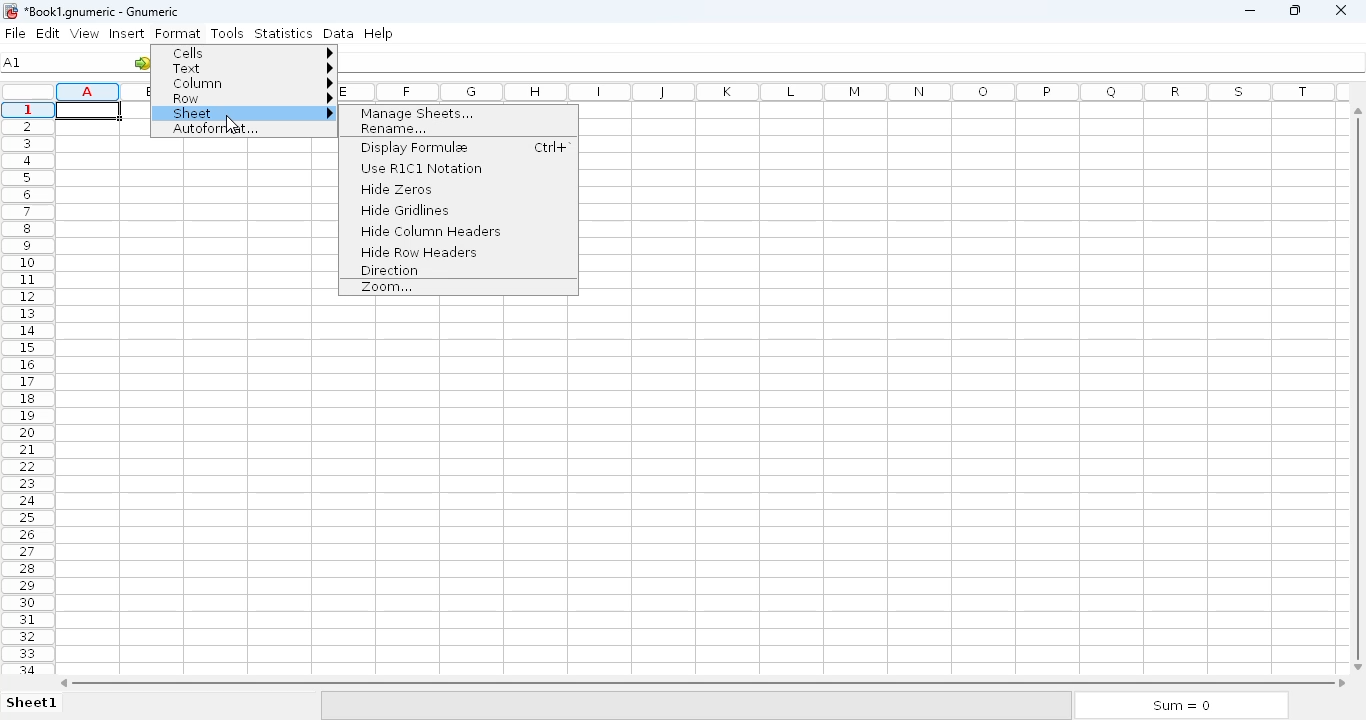  I want to click on hide row headers, so click(418, 251).